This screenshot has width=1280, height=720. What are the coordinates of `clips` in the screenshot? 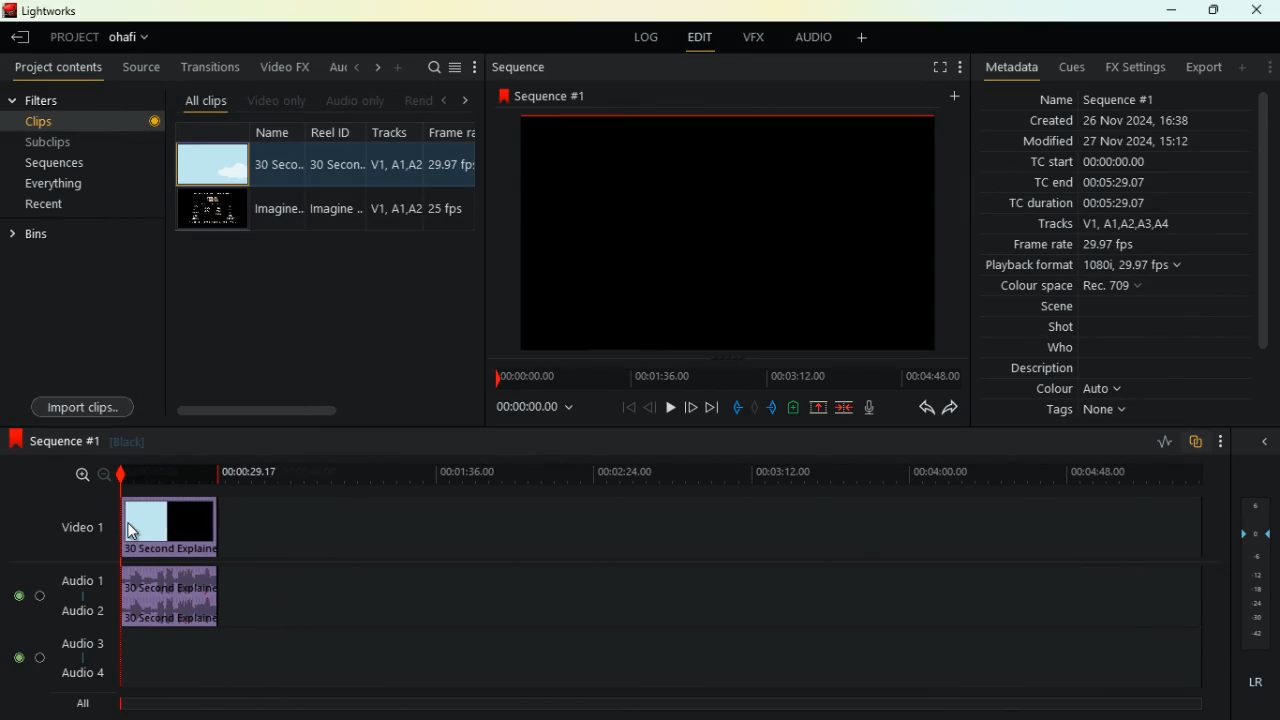 It's located at (92, 122).